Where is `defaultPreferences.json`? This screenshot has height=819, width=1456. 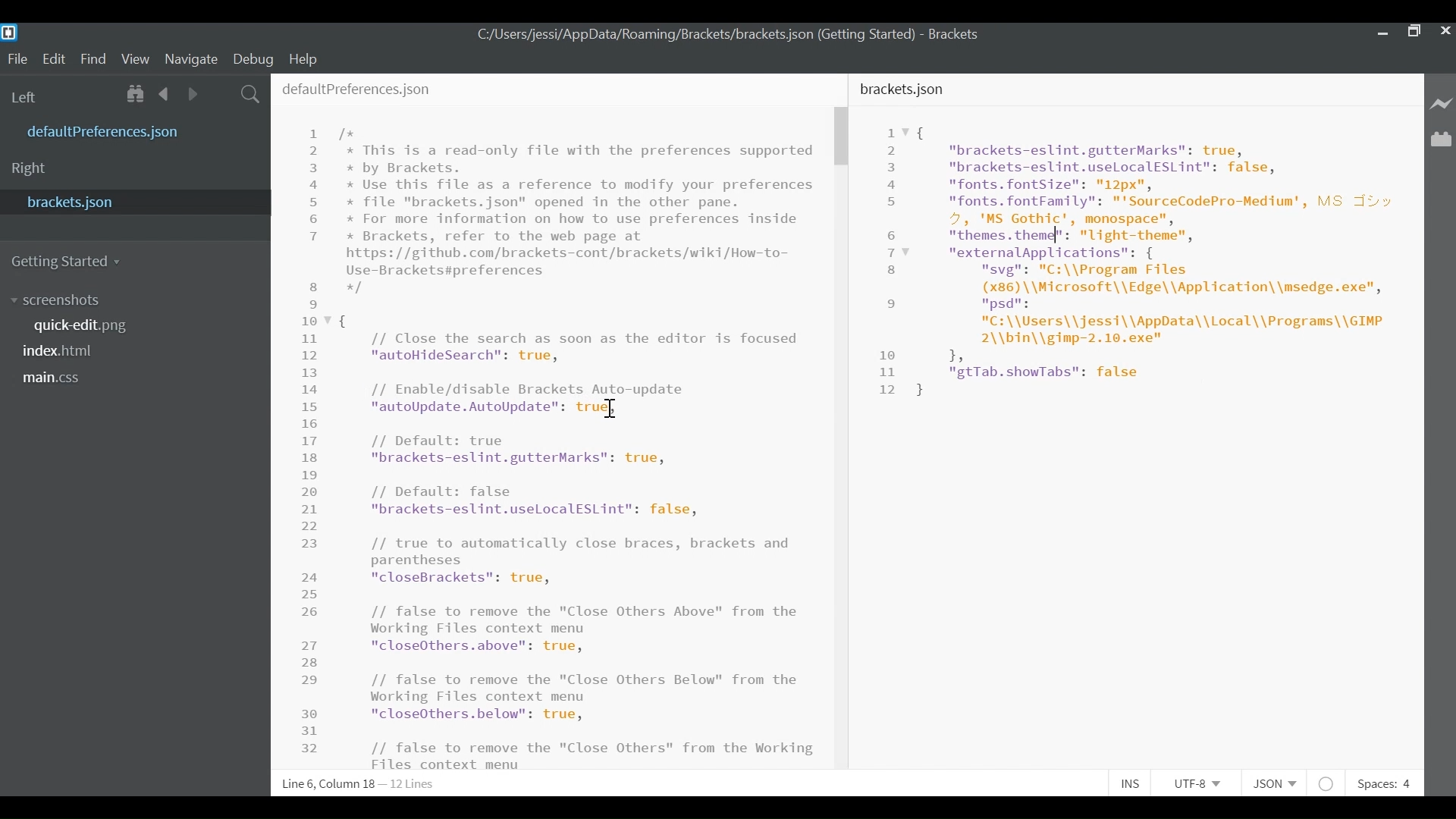
defaultPreferences.json is located at coordinates (124, 131).